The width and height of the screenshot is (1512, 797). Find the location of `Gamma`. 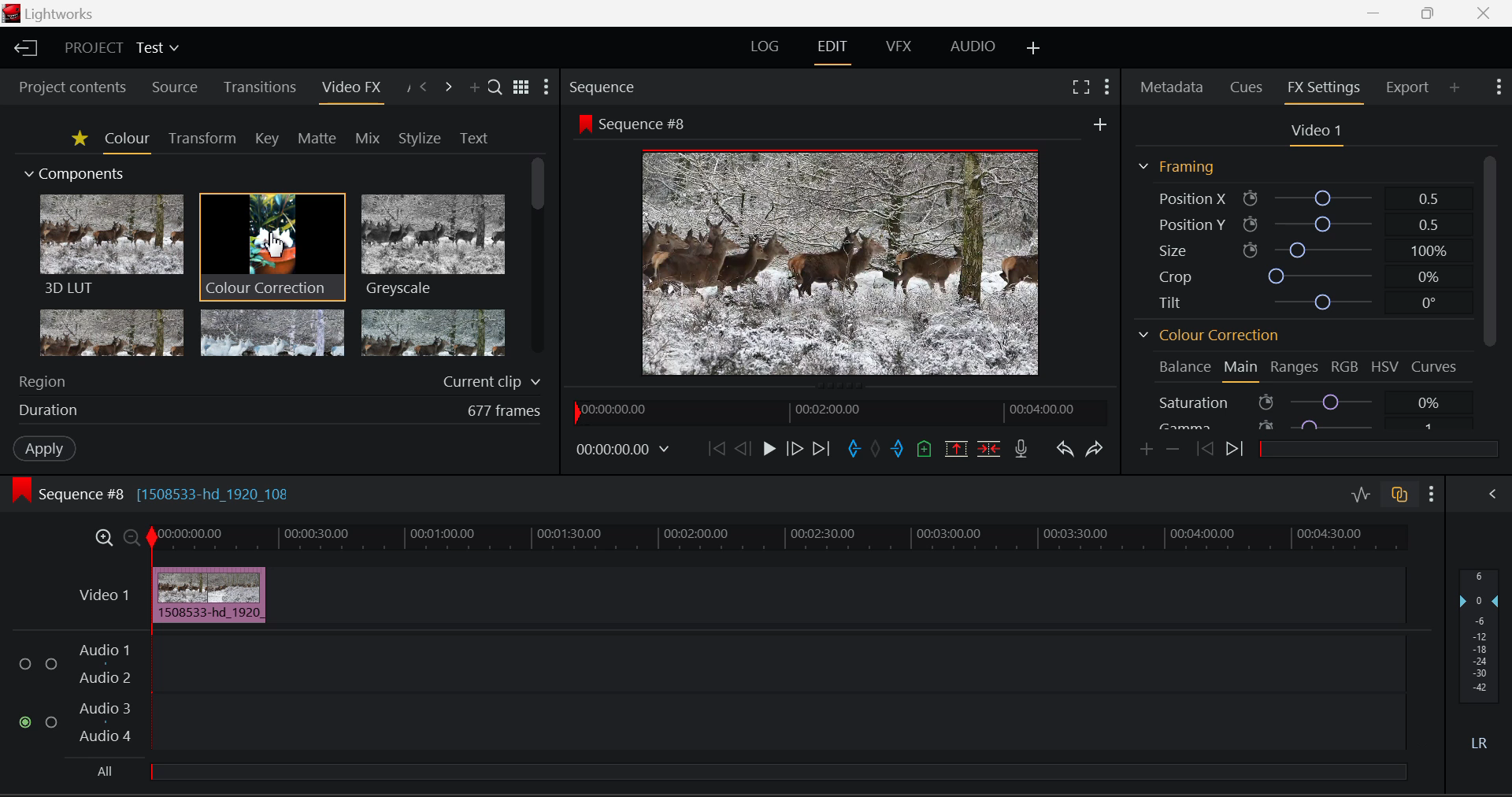

Gamma is located at coordinates (1298, 424).